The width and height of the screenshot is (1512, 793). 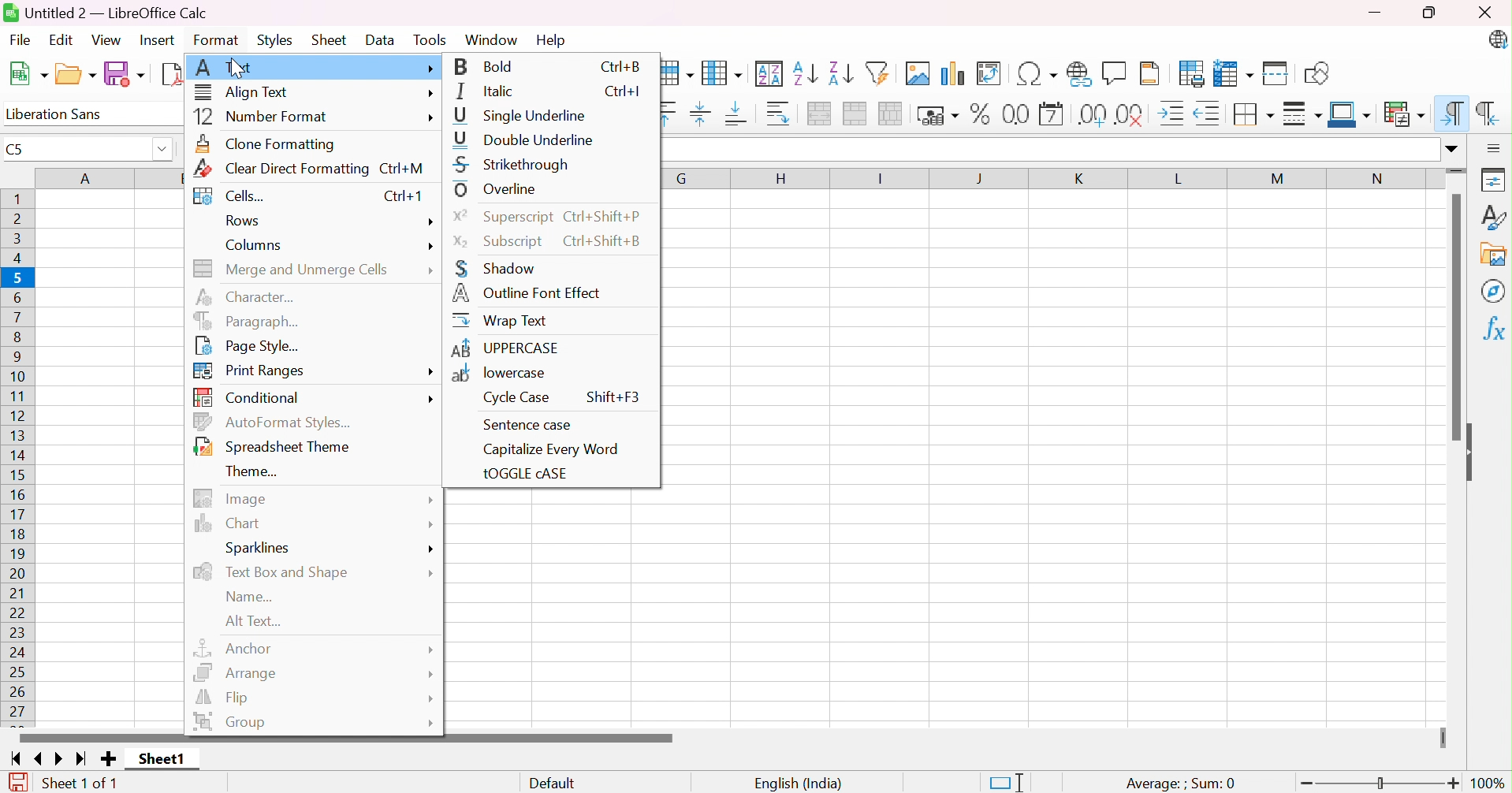 I want to click on Slider, so click(x=1381, y=782).